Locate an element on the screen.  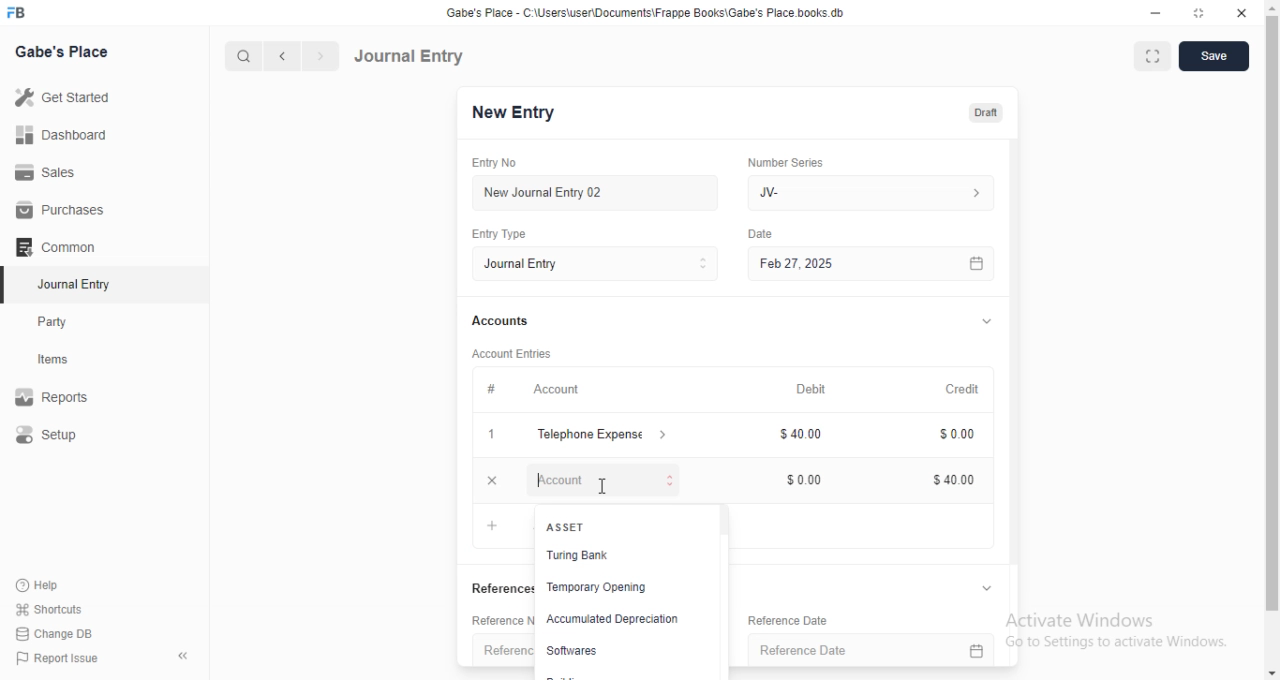
1 is located at coordinates (499, 435).